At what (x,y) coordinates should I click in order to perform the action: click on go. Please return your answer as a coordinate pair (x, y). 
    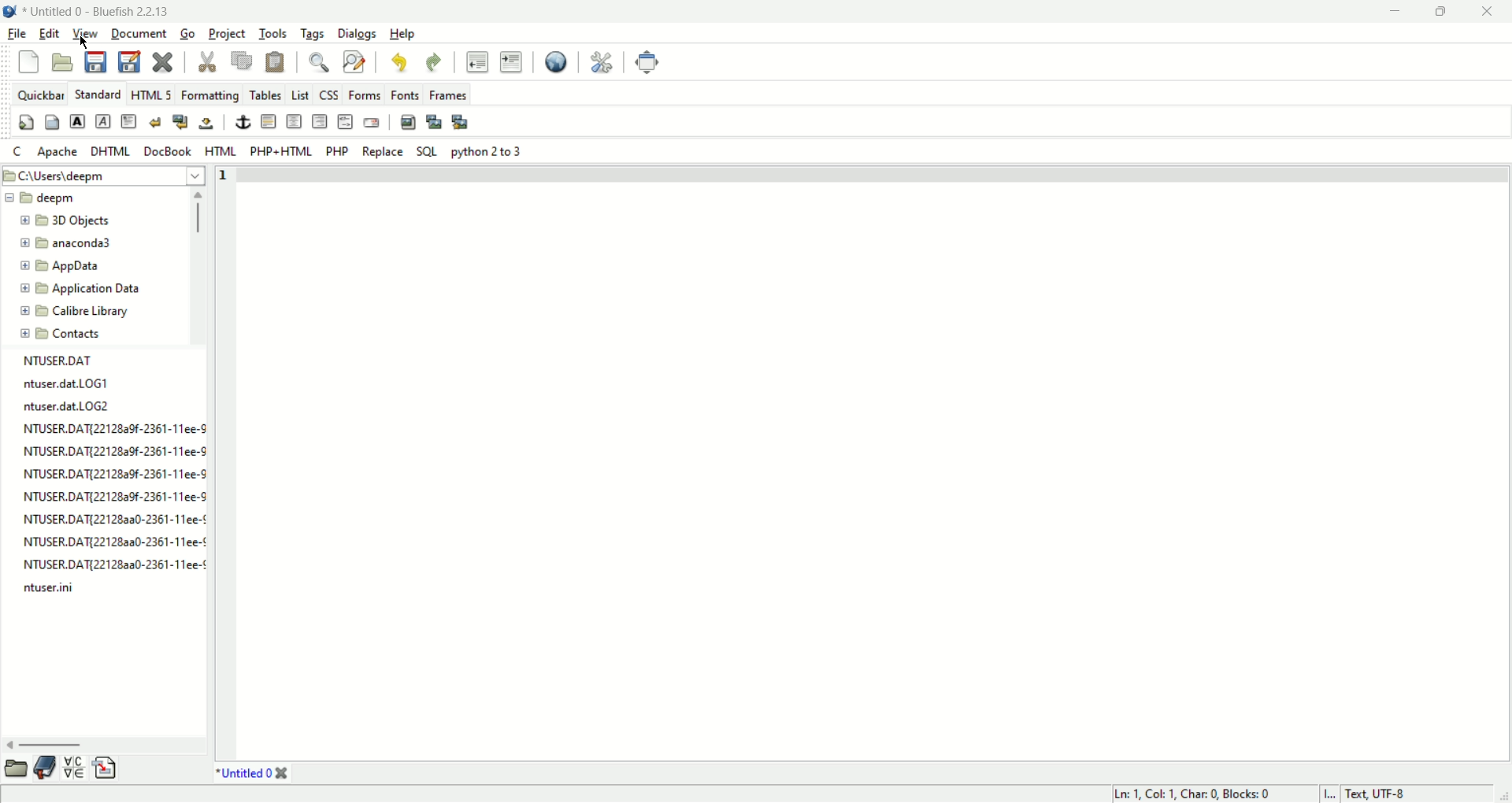
    Looking at the image, I should click on (187, 34).